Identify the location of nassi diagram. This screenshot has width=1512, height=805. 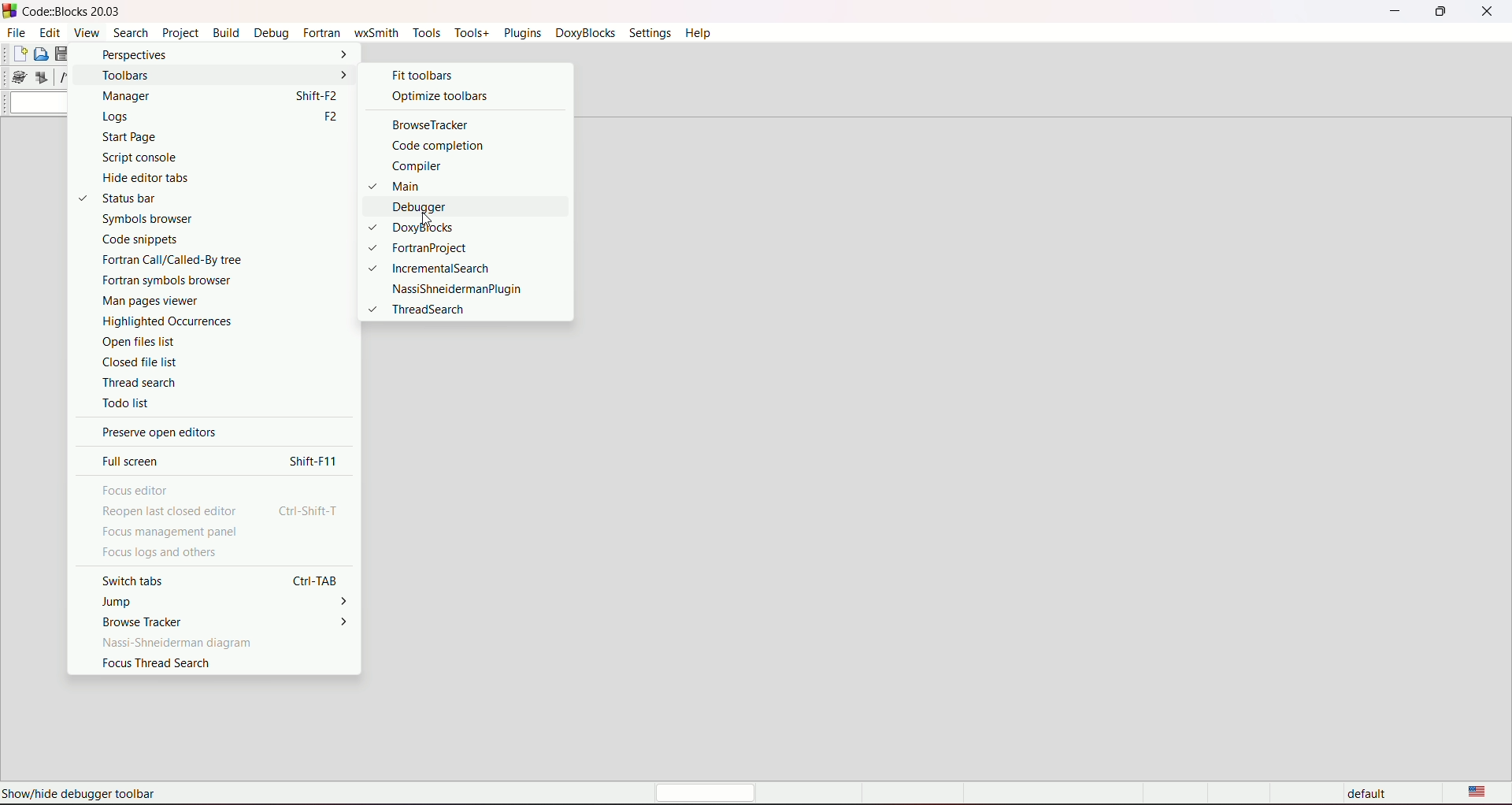
(180, 642).